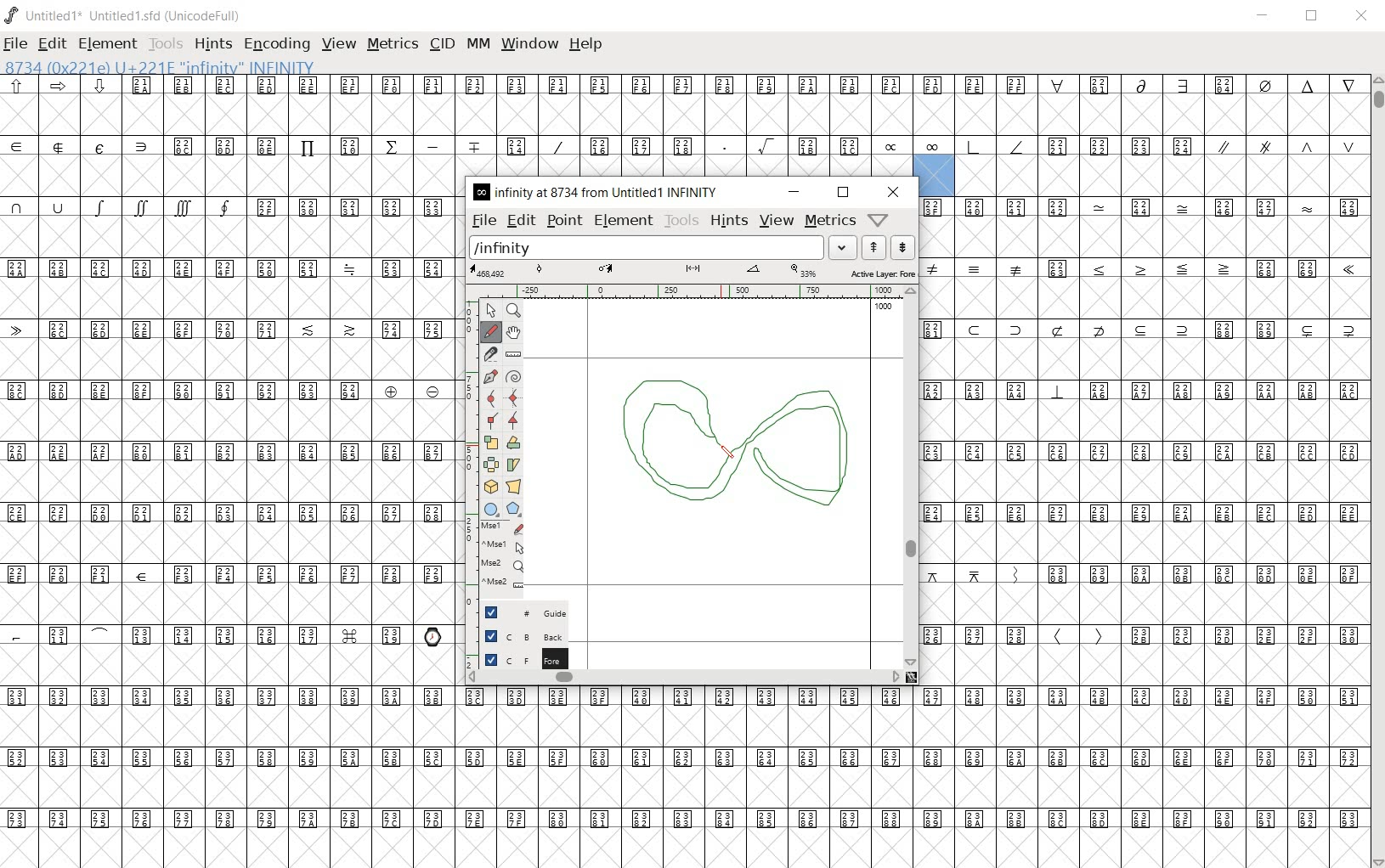 This screenshot has height=868, width=1385. Describe the element at coordinates (732, 448) in the screenshot. I see `Designing infinity symbol` at that location.